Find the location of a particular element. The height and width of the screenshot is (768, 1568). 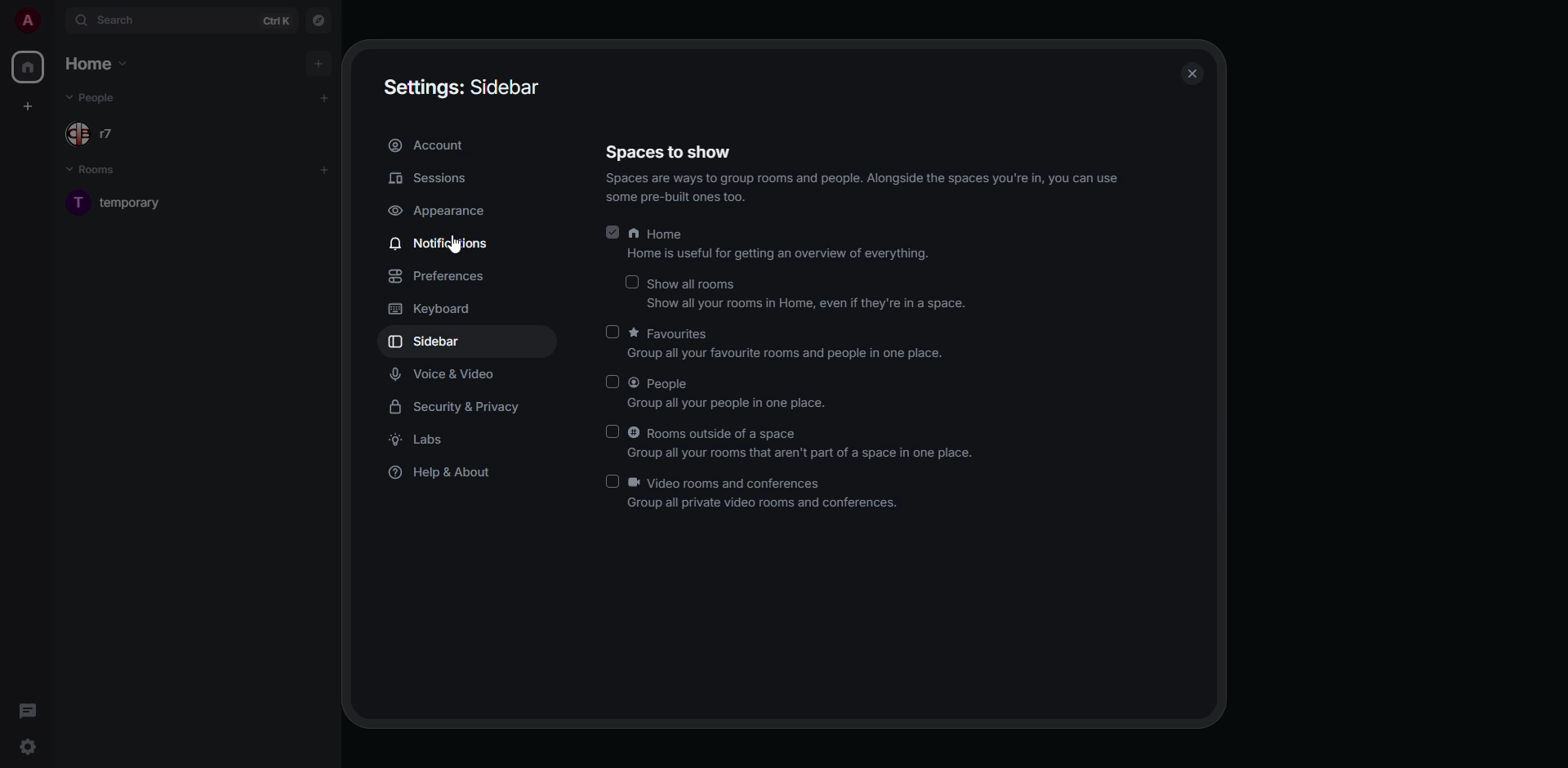

search is located at coordinates (111, 19).